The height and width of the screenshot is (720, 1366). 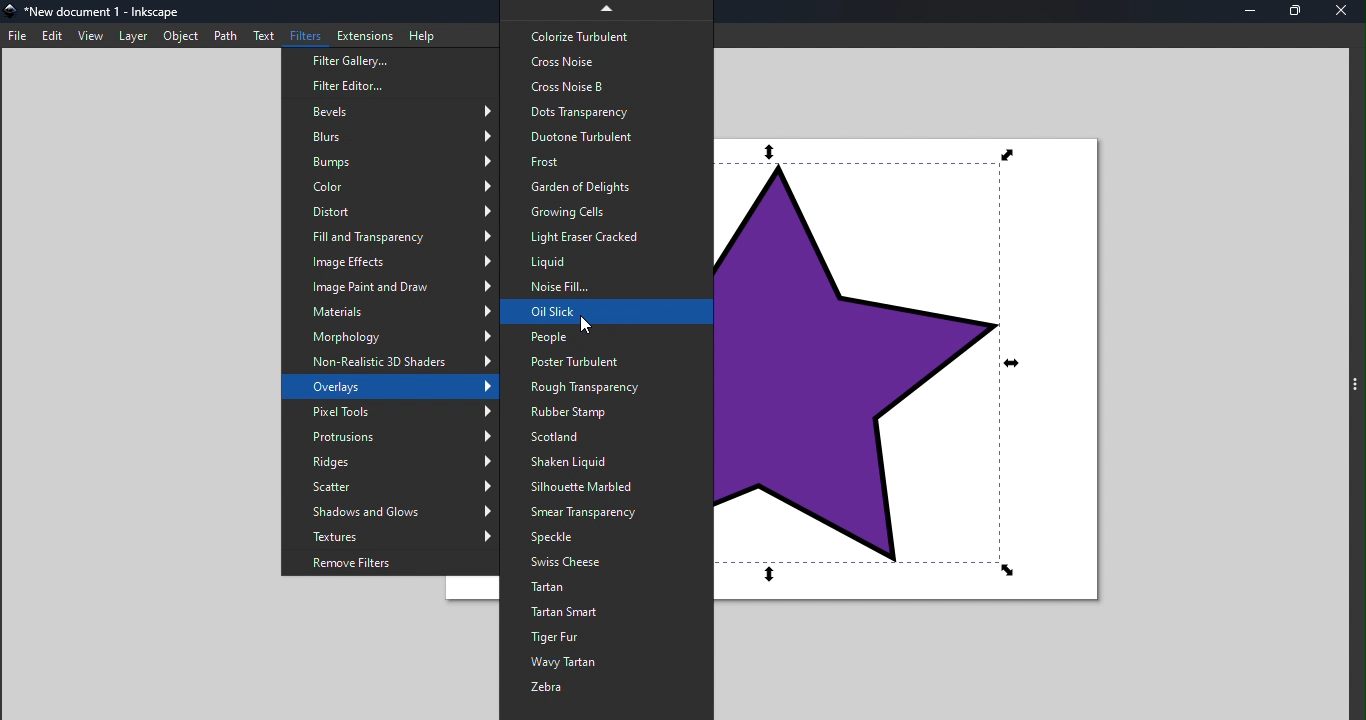 I want to click on Smear Transparency, so click(x=608, y=512).